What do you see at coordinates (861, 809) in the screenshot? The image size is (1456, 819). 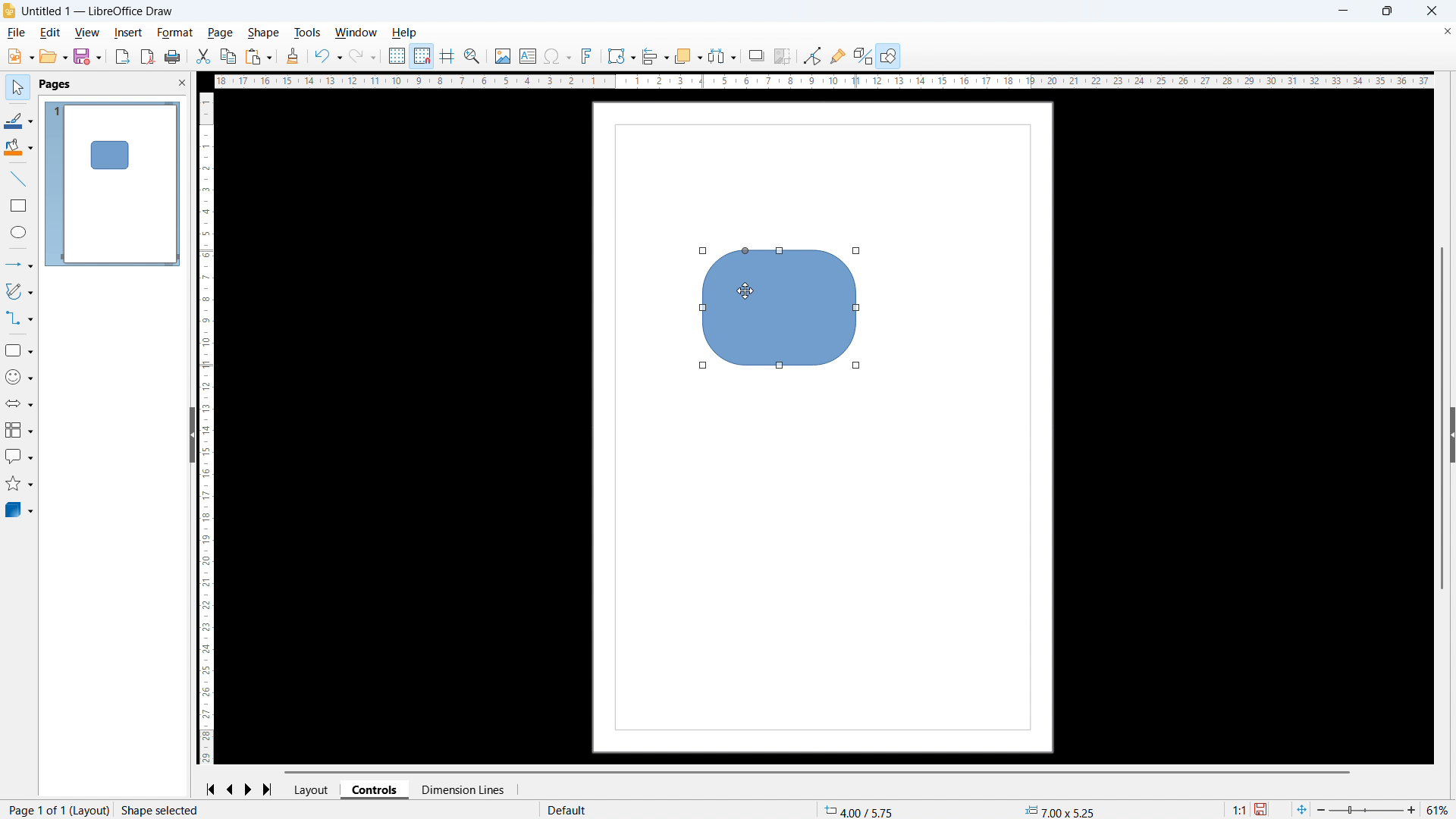 I see `4.00/5.75` at bounding box center [861, 809].